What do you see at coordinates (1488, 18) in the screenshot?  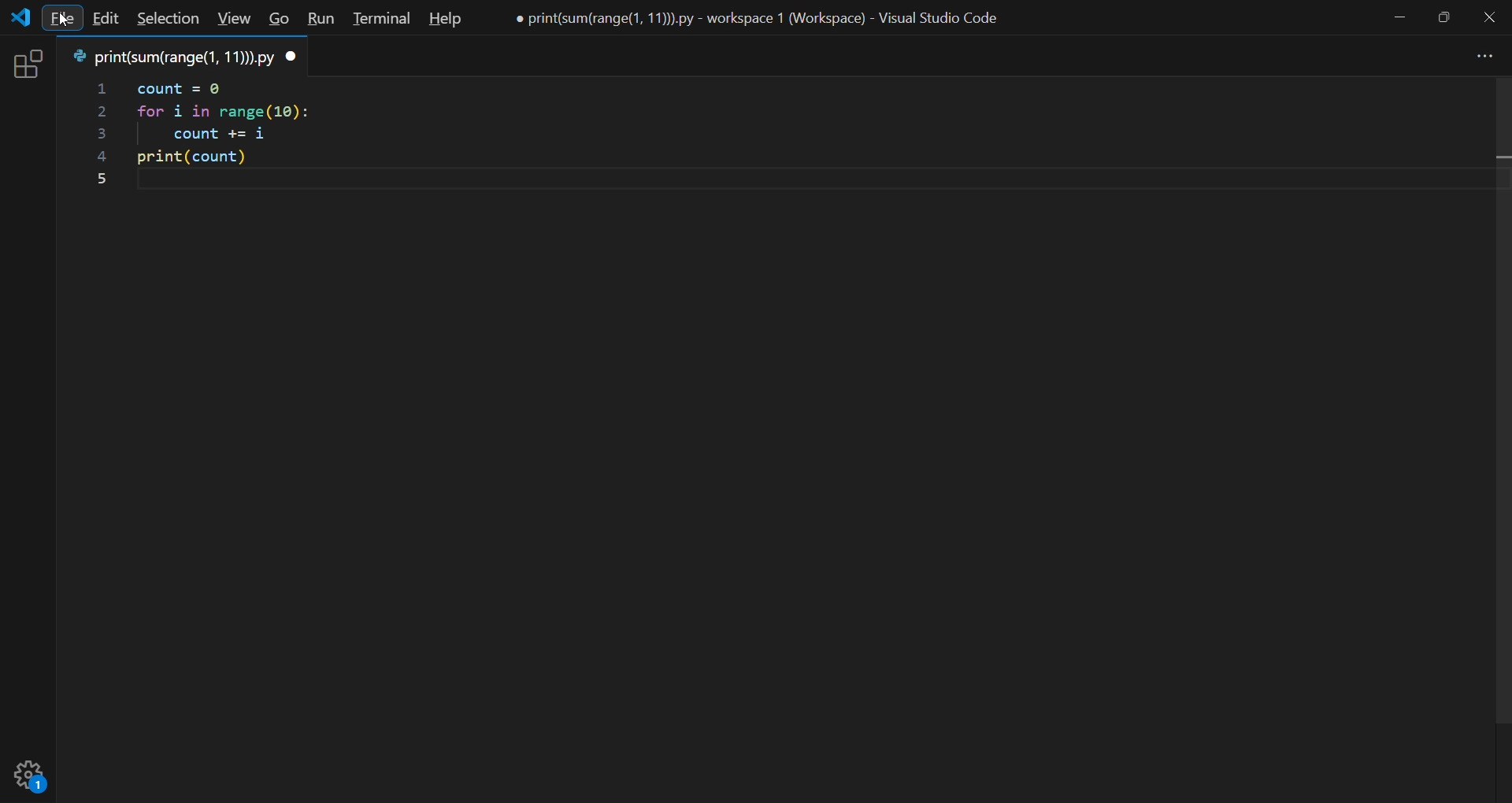 I see `close` at bounding box center [1488, 18].